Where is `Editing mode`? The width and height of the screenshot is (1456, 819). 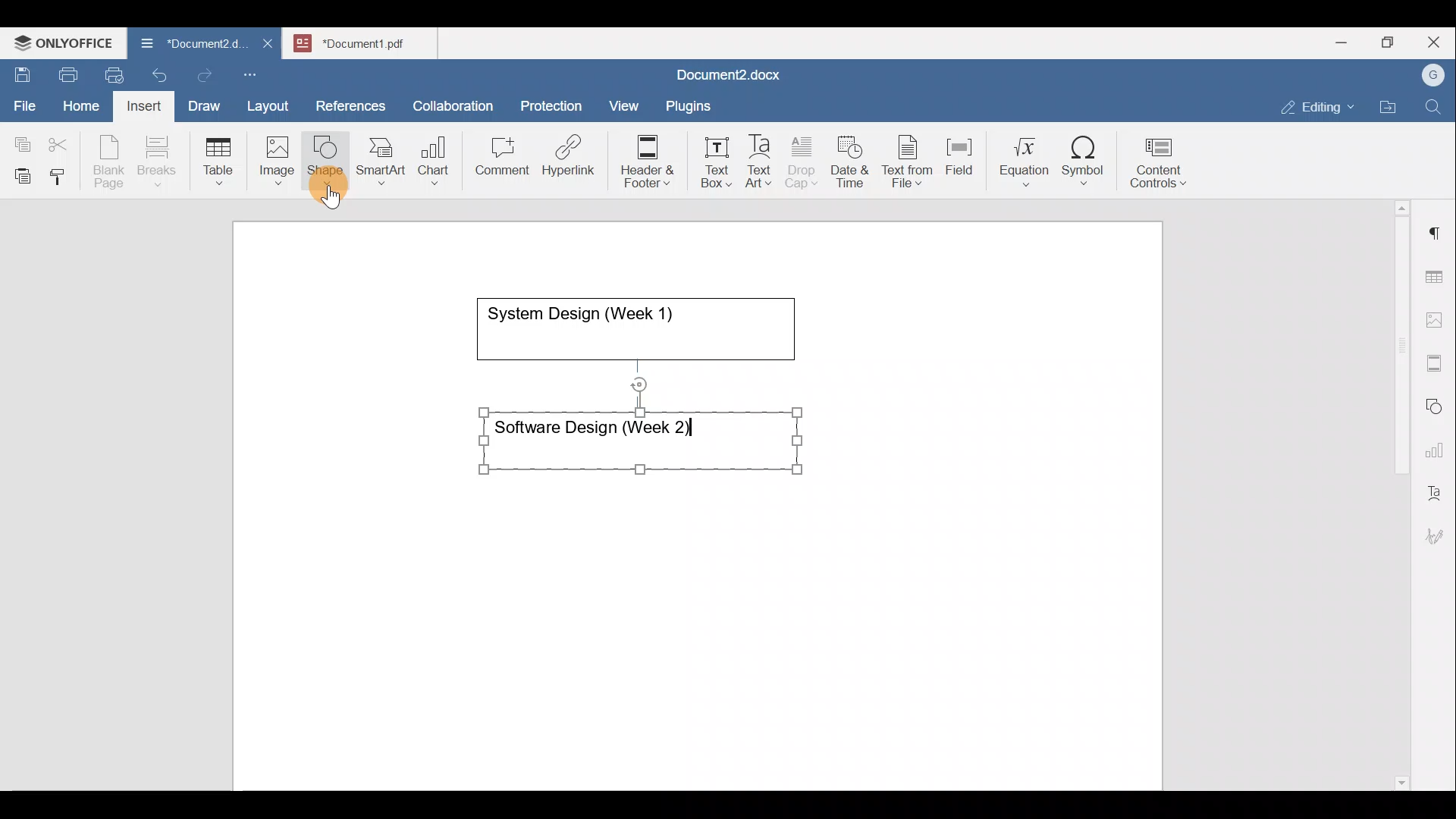
Editing mode is located at coordinates (1318, 104).